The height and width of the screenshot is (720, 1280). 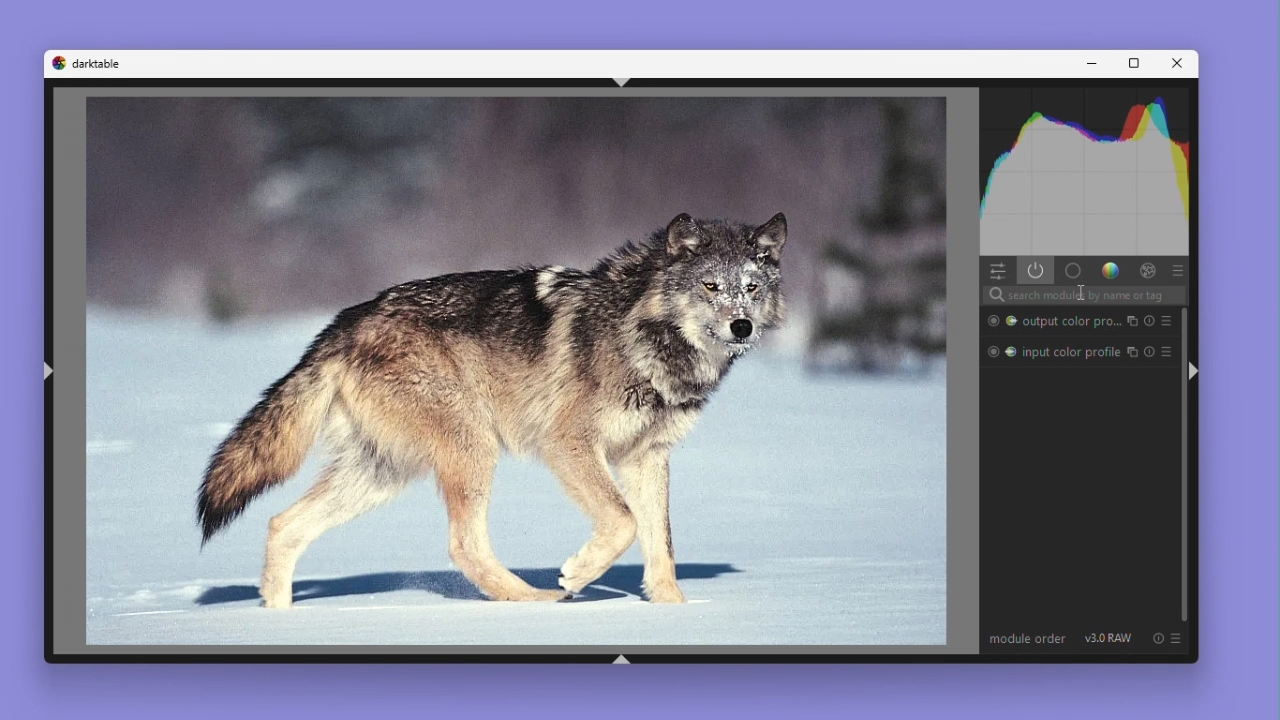 I want to click on Quick access, so click(x=993, y=269).